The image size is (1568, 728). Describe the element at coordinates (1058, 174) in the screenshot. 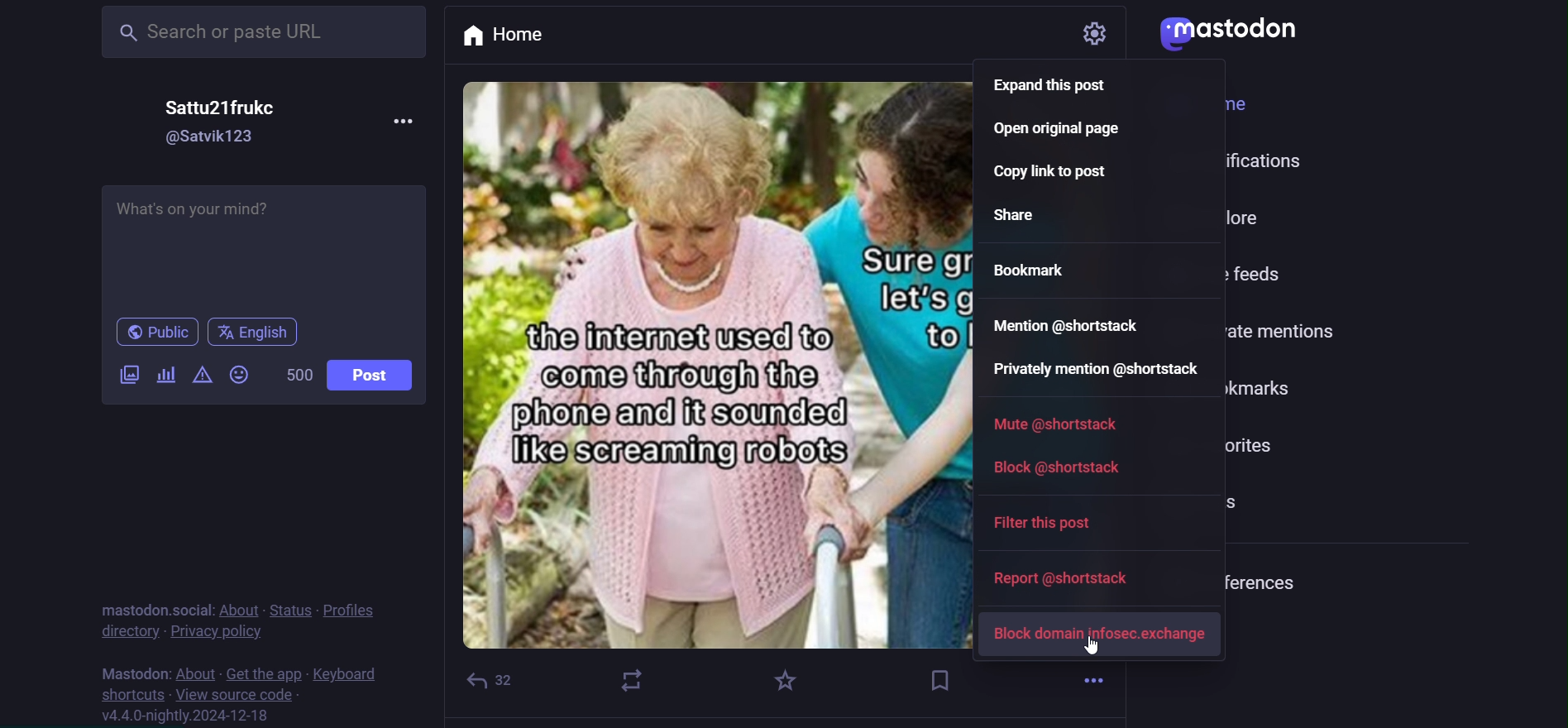

I see `copy link to post` at that location.